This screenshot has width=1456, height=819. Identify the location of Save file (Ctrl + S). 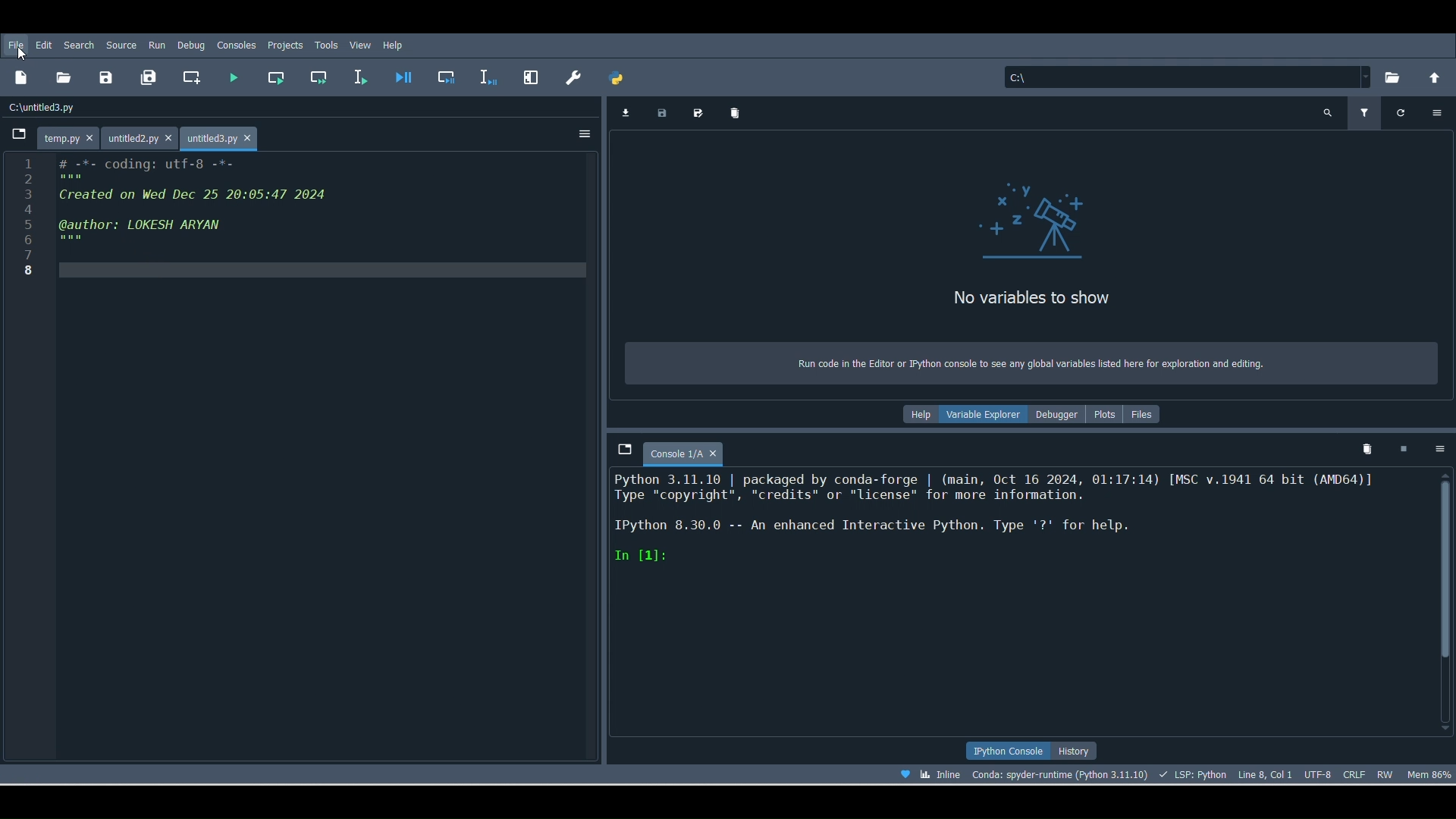
(105, 77).